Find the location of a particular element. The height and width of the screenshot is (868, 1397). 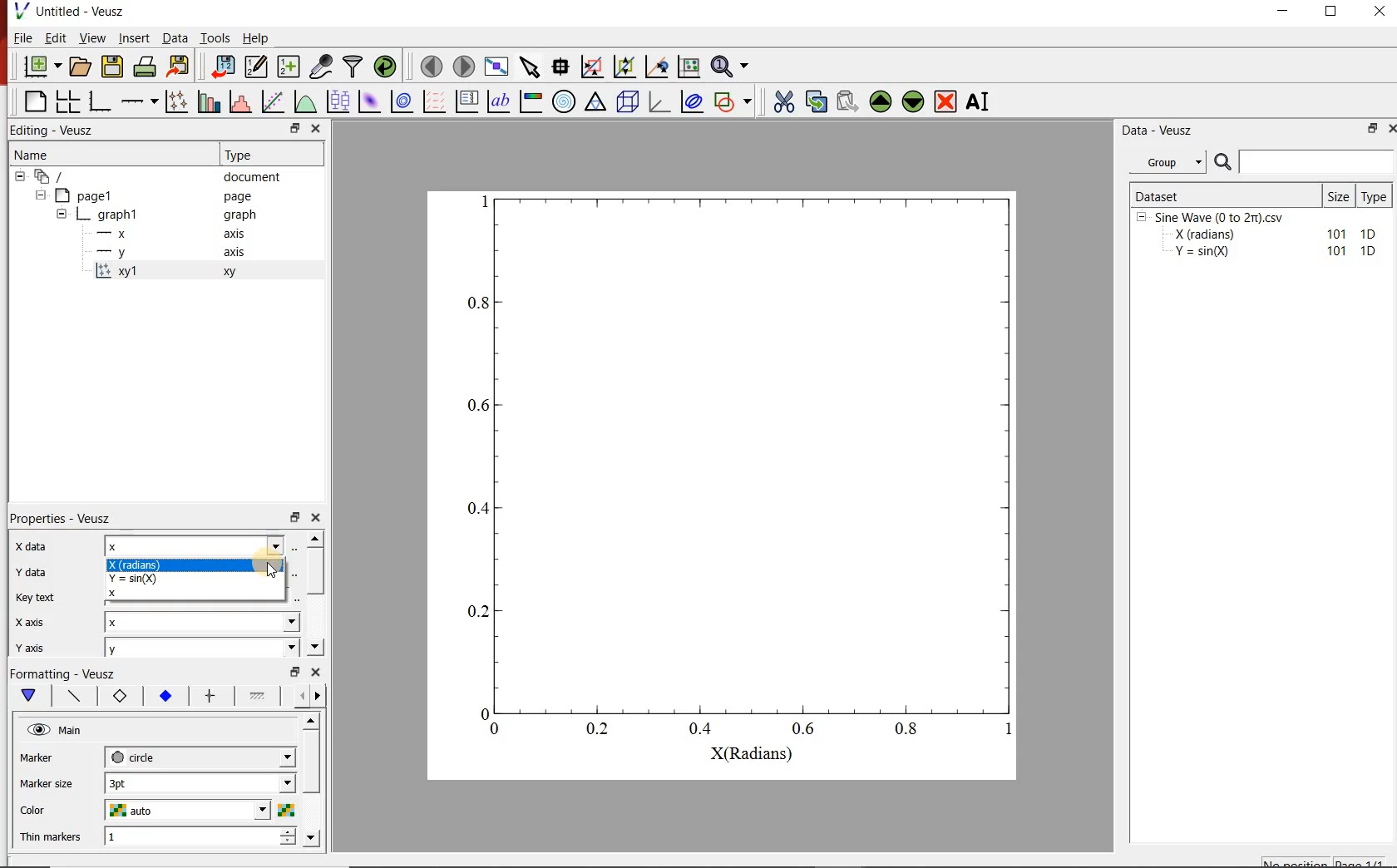

y is located at coordinates (202, 648).